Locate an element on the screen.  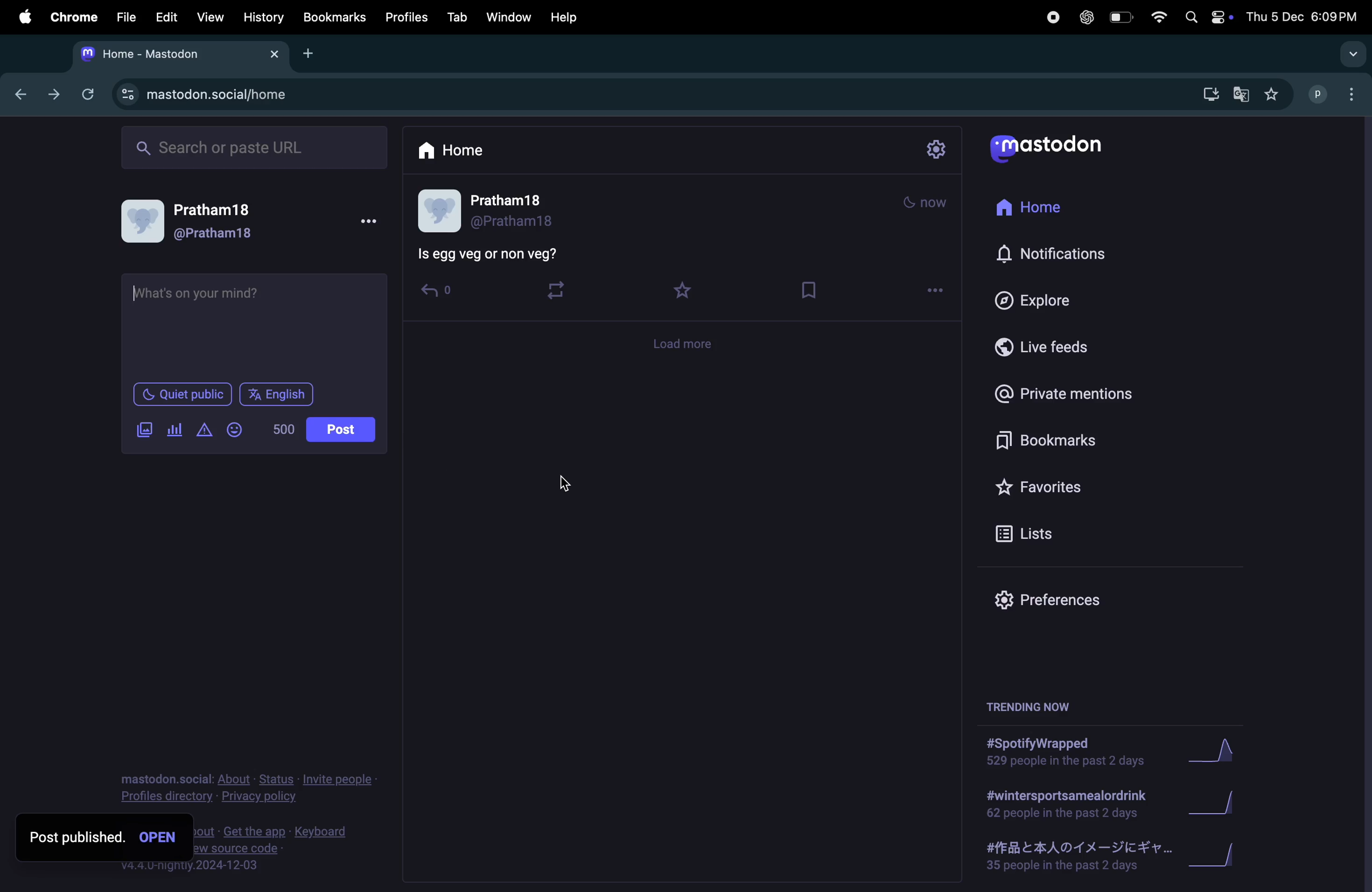
home is located at coordinates (1041, 206).